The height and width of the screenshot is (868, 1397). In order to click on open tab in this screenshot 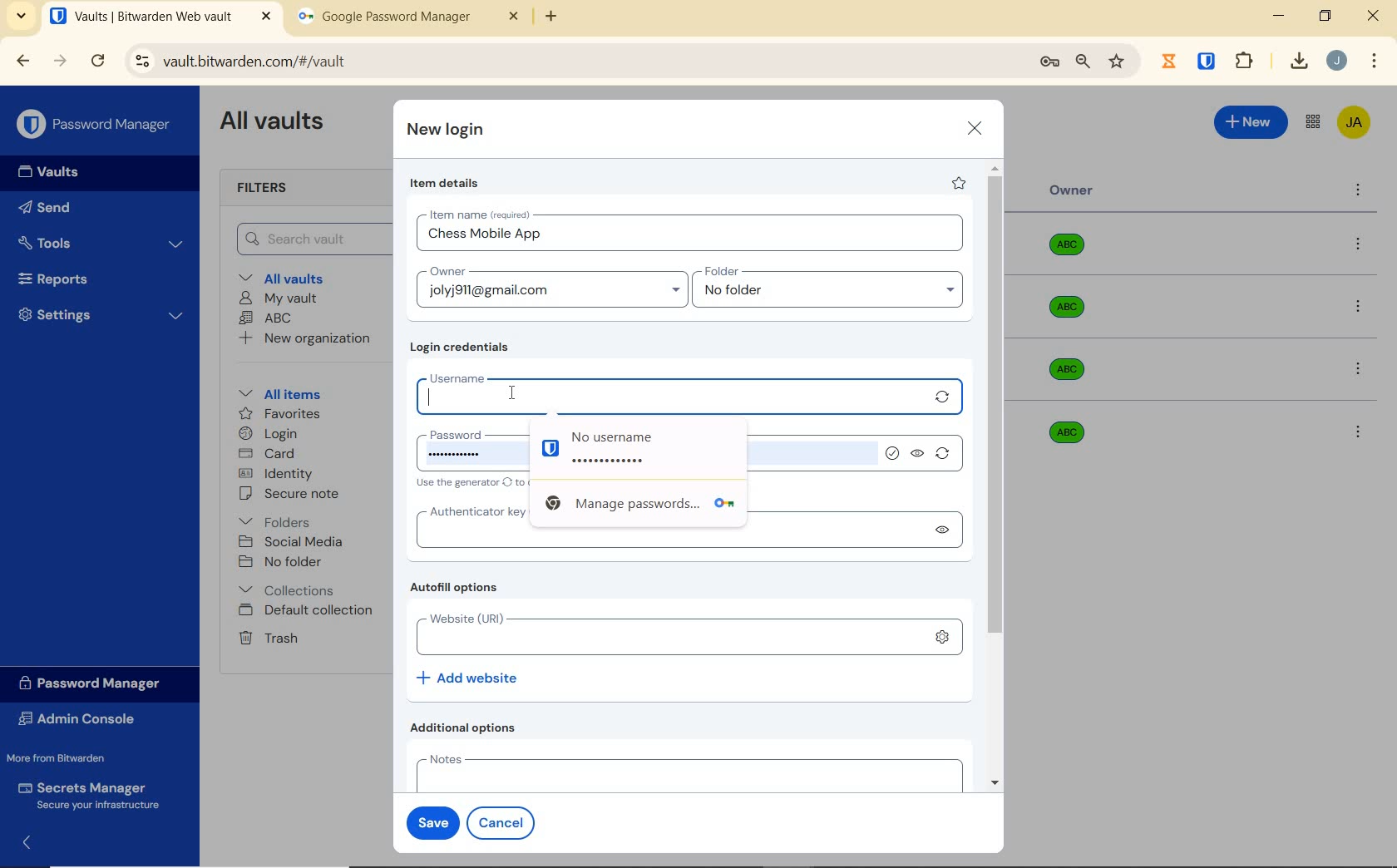, I will do `click(160, 17)`.